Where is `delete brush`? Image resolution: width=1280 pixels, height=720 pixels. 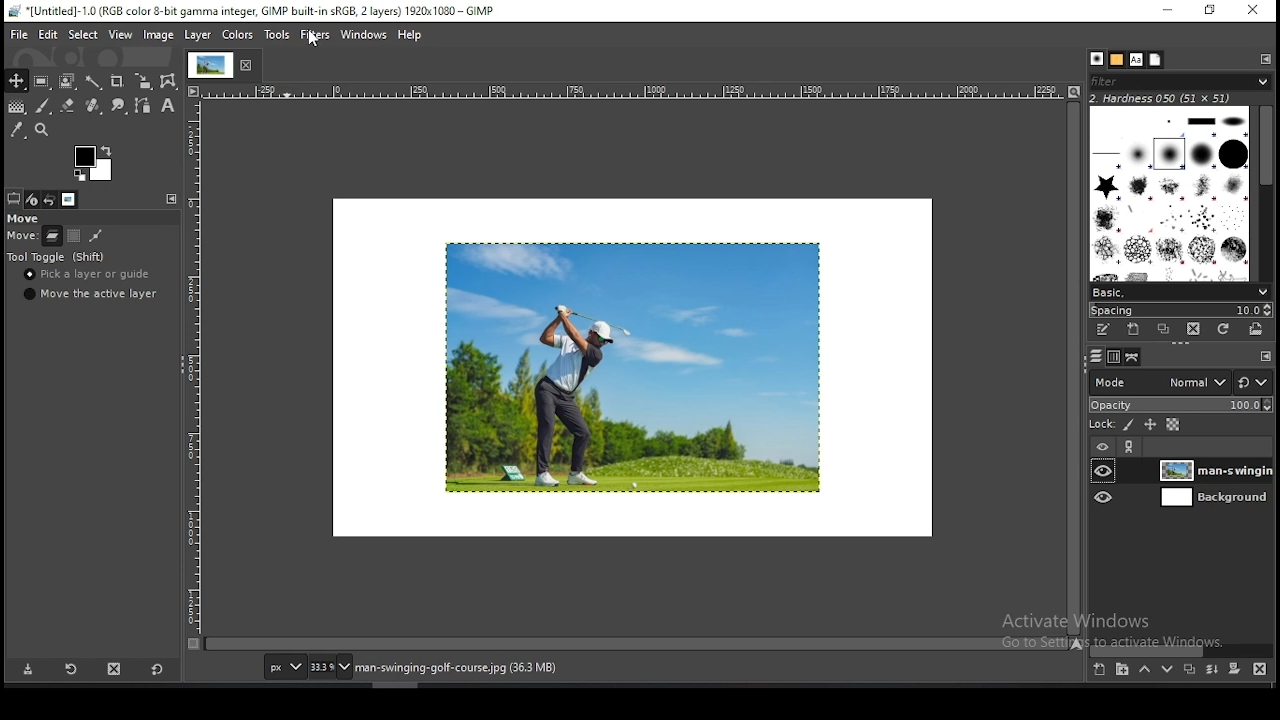 delete brush is located at coordinates (1193, 329).